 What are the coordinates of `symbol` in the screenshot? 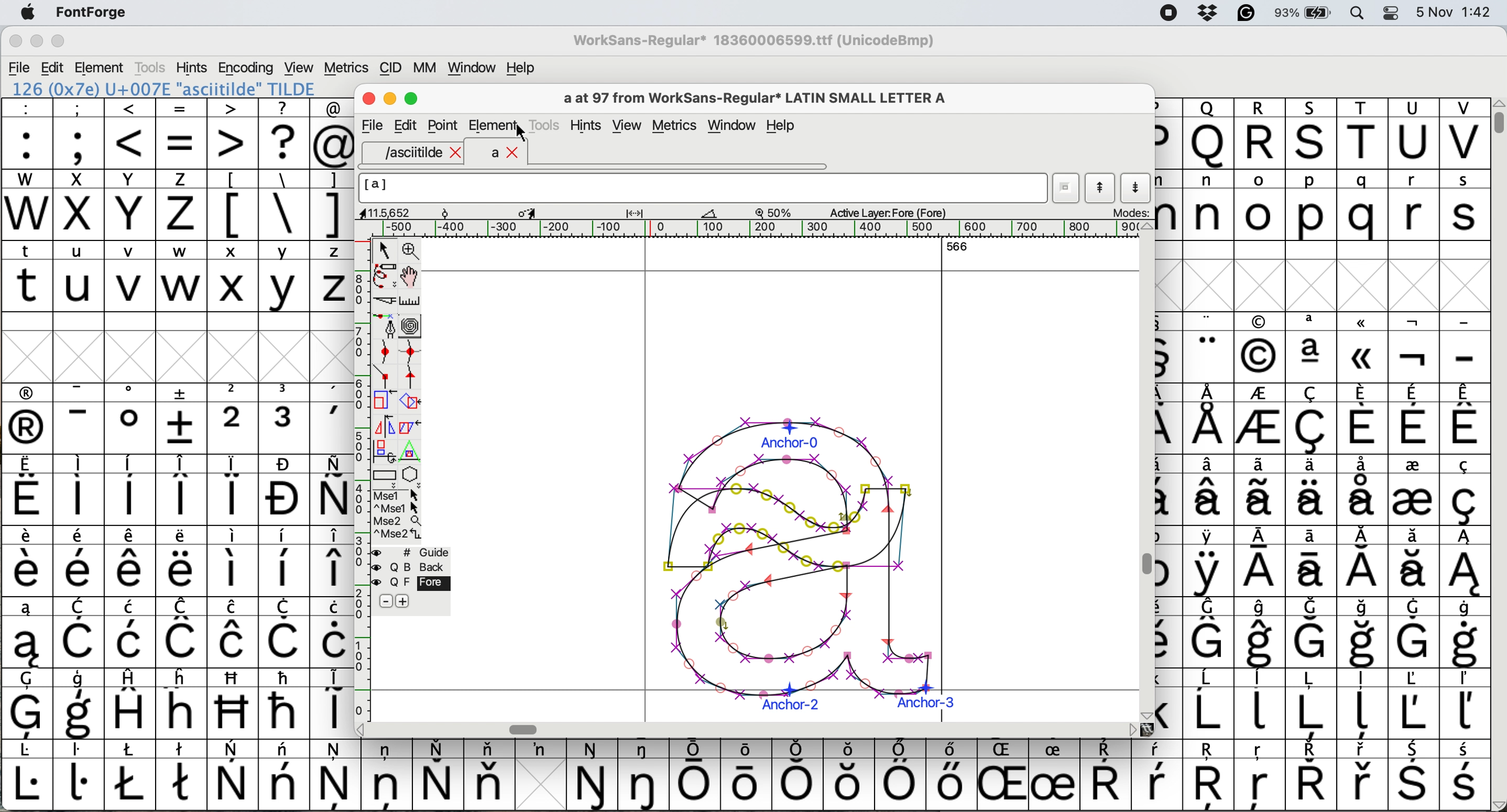 It's located at (1413, 419).